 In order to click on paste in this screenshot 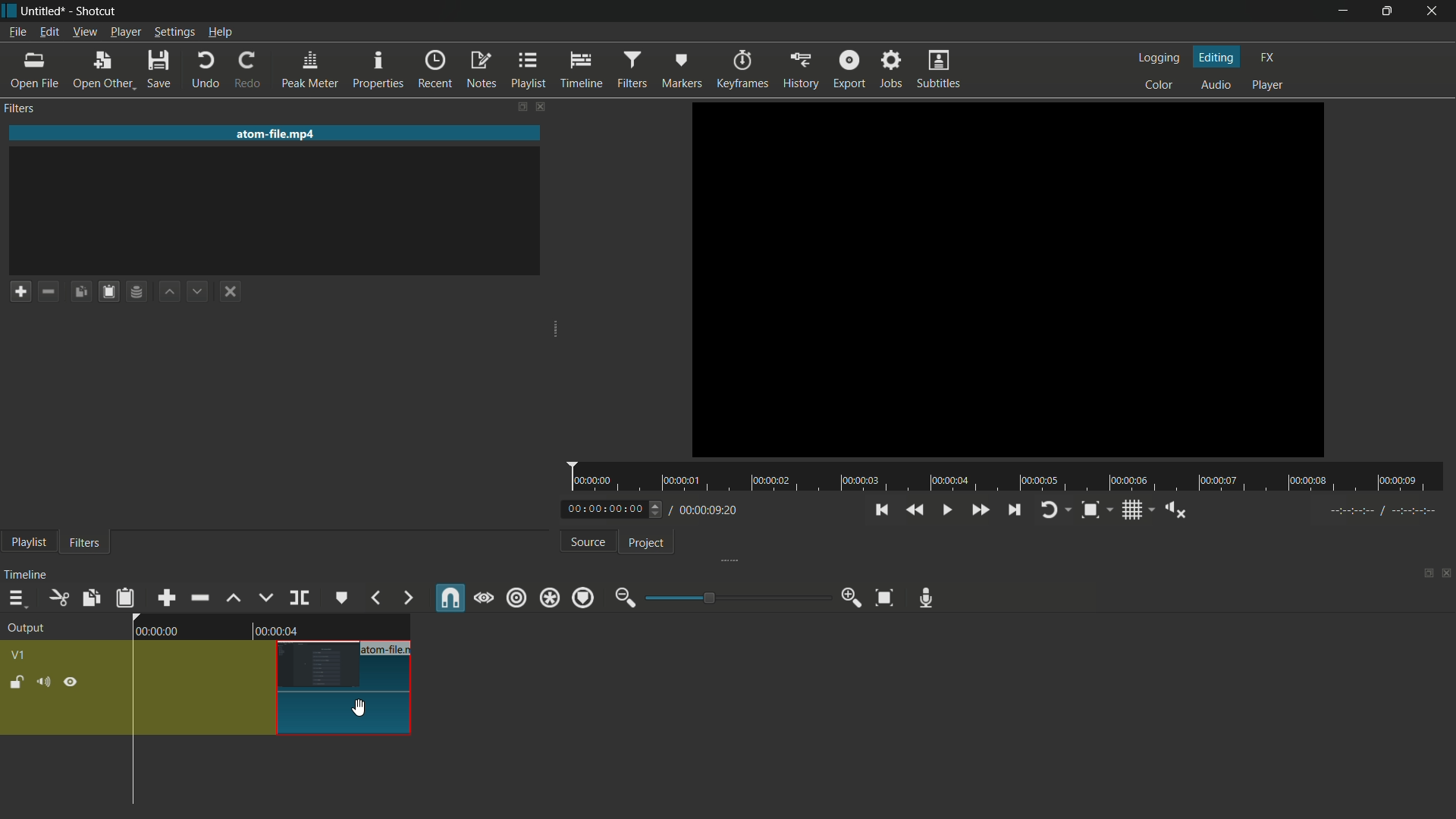, I will do `click(80, 291)`.